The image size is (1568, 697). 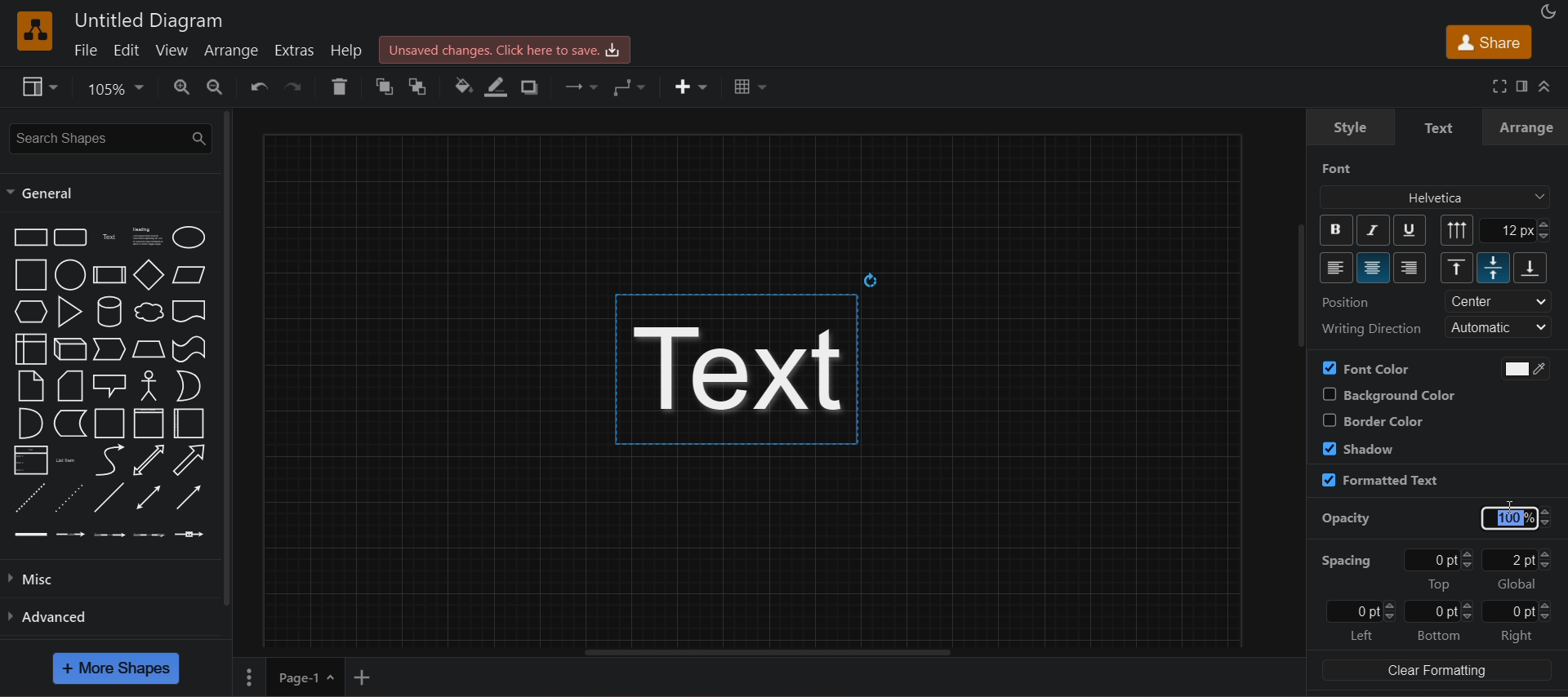 I want to click on list item, so click(x=67, y=460).